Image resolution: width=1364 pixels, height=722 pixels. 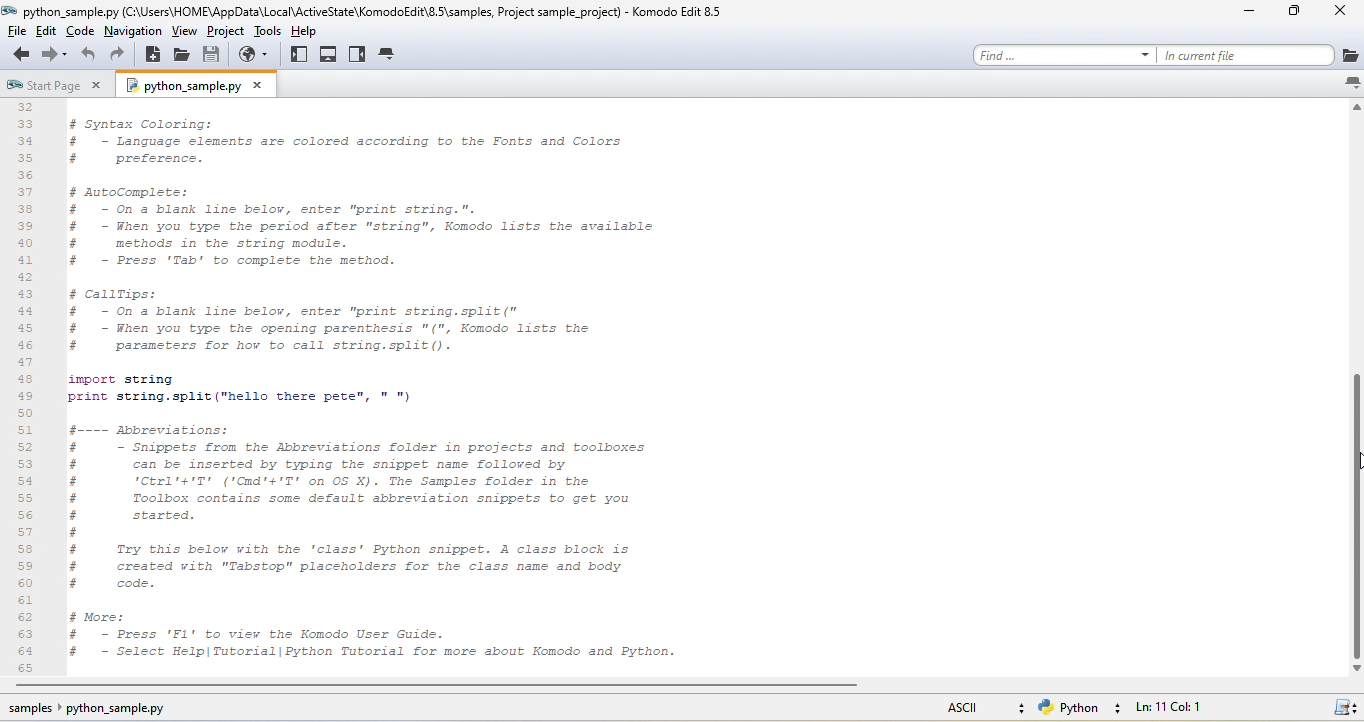 I want to click on close, so click(x=1337, y=14).